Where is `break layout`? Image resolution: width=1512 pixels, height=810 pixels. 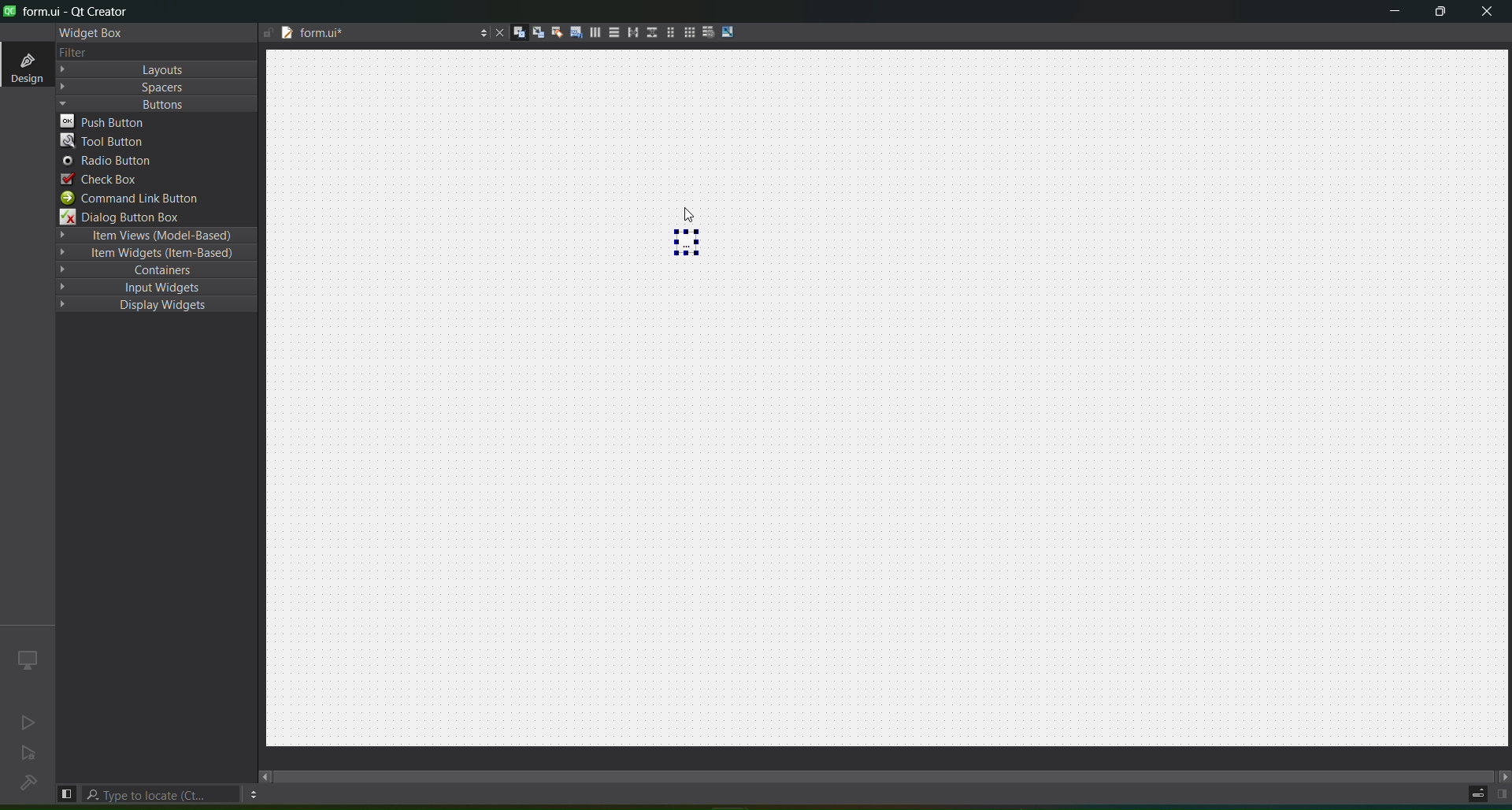 break layout is located at coordinates (708, 30).